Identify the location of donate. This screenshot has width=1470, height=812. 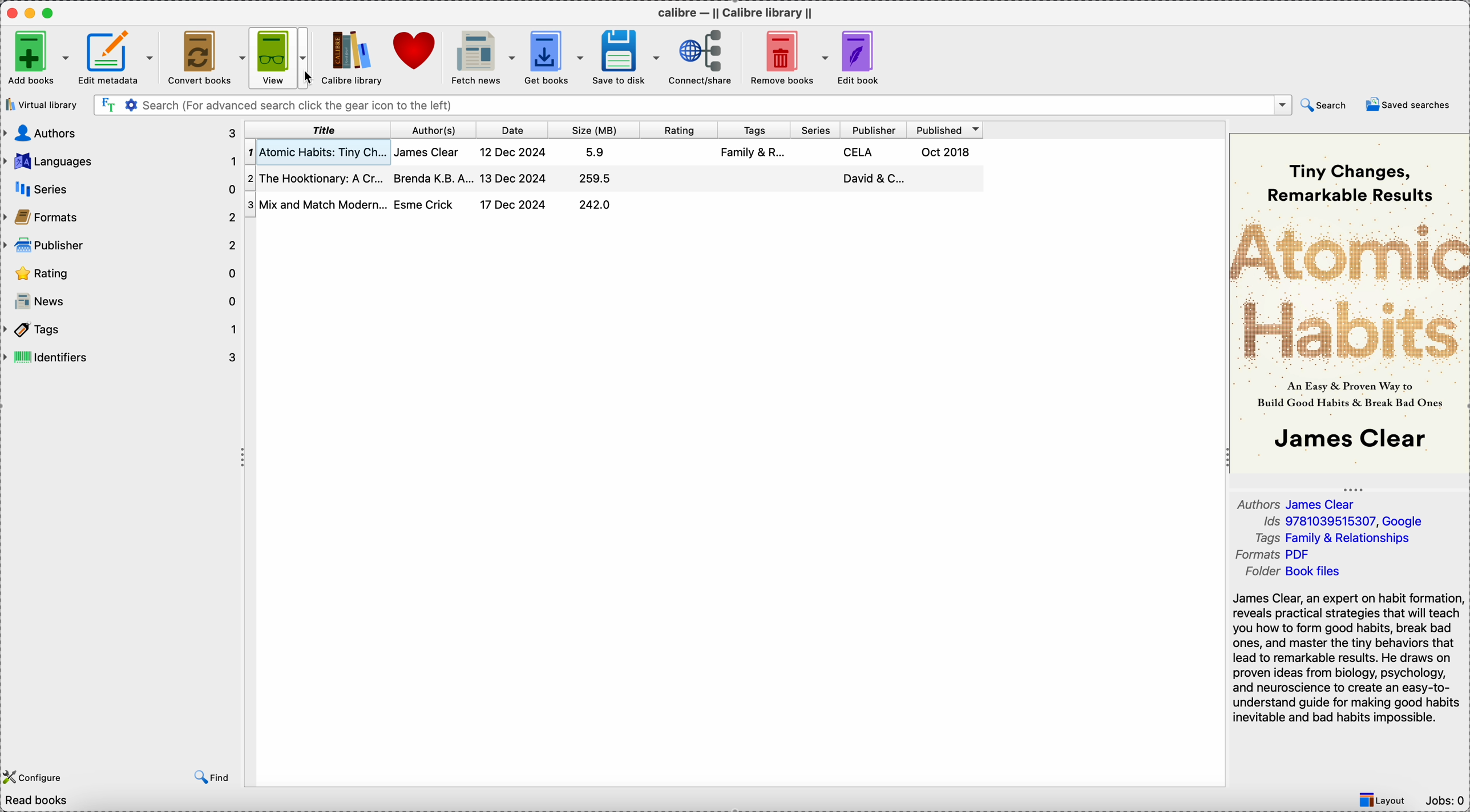
(417, 53).